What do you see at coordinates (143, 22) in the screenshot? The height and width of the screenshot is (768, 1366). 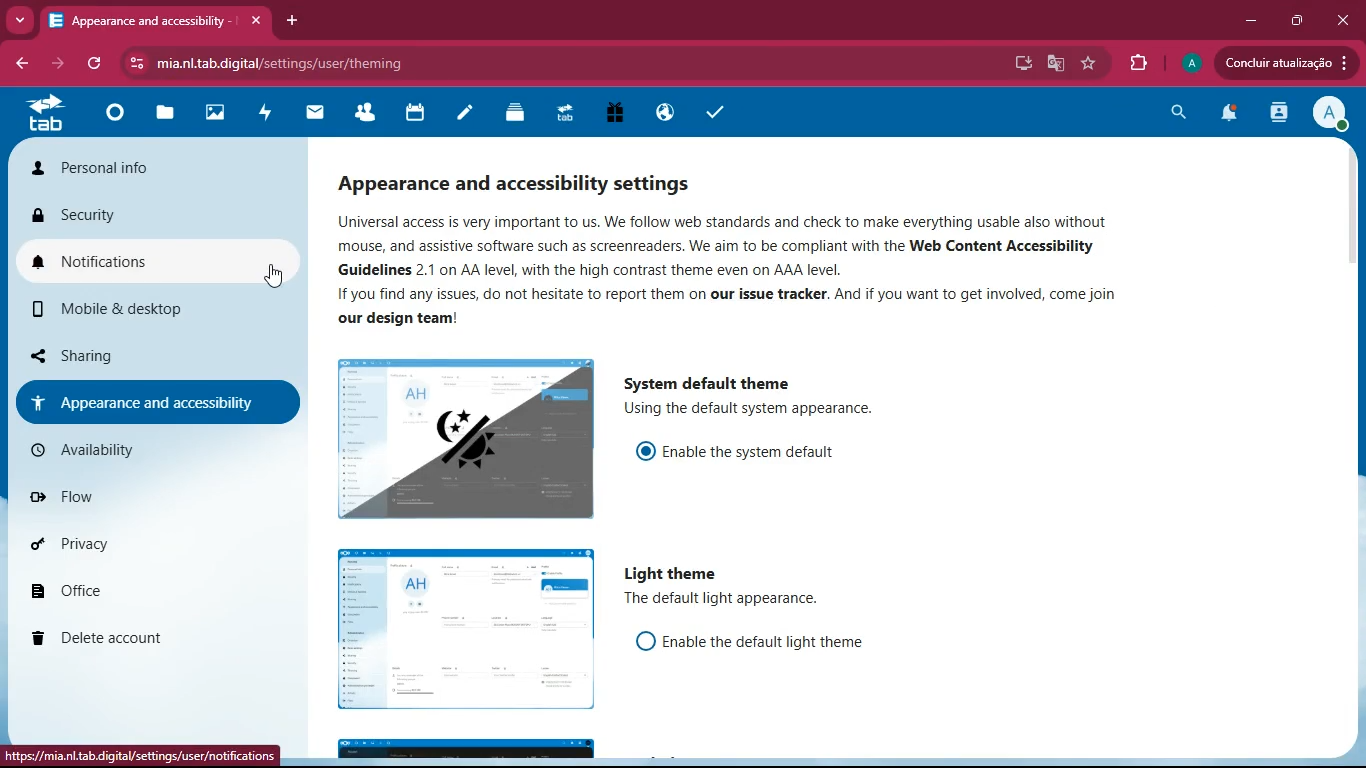 I see `tab` at bounding box center [143, 22].